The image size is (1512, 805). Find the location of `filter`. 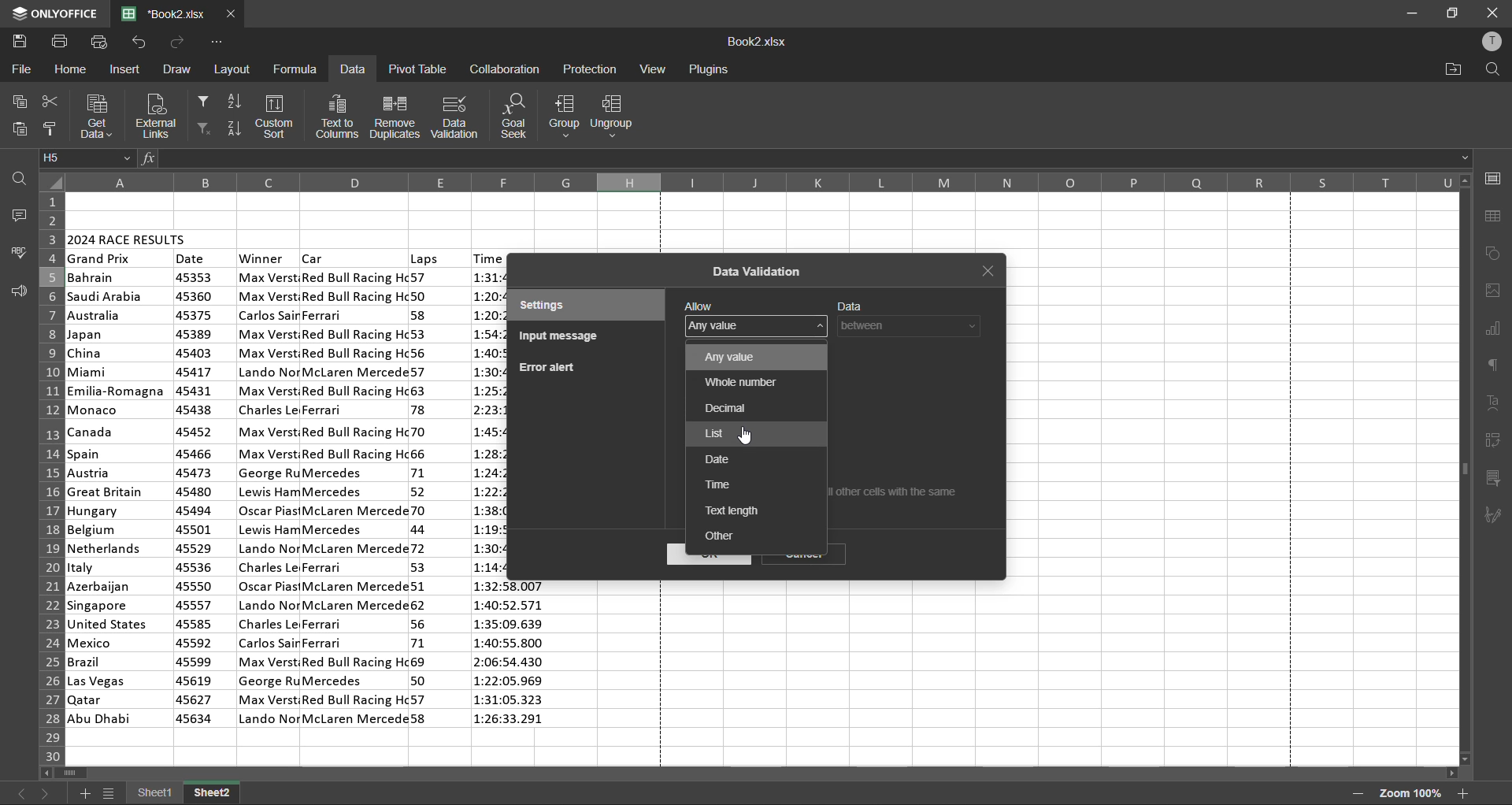

filter is located at coordinates (202, 99).